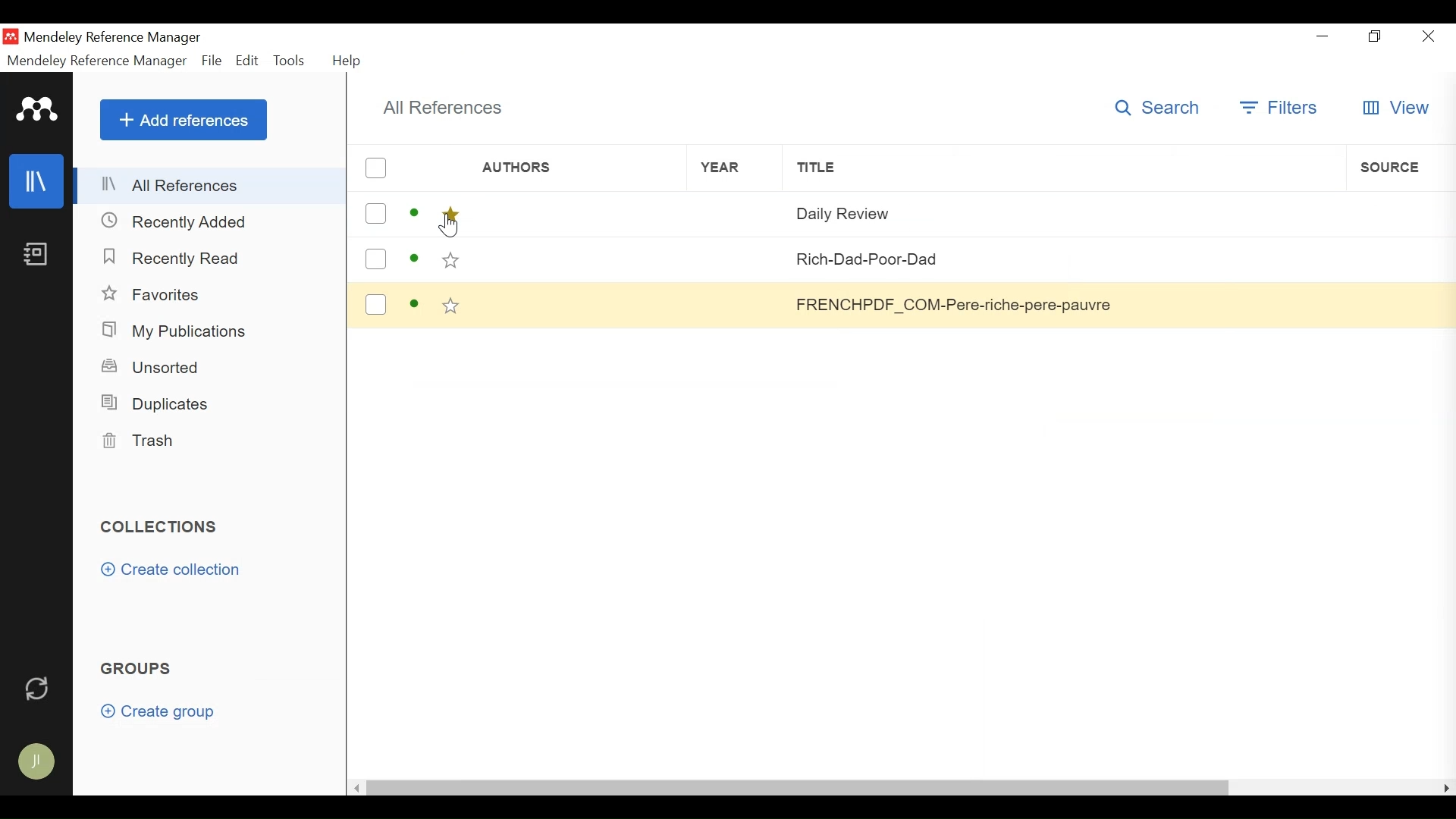 The height and width of the screenshot is (819, 1456). What do you see at coordinates (723, 168) in the screenshot?
I see `Year` at bounding box center [723, 168].